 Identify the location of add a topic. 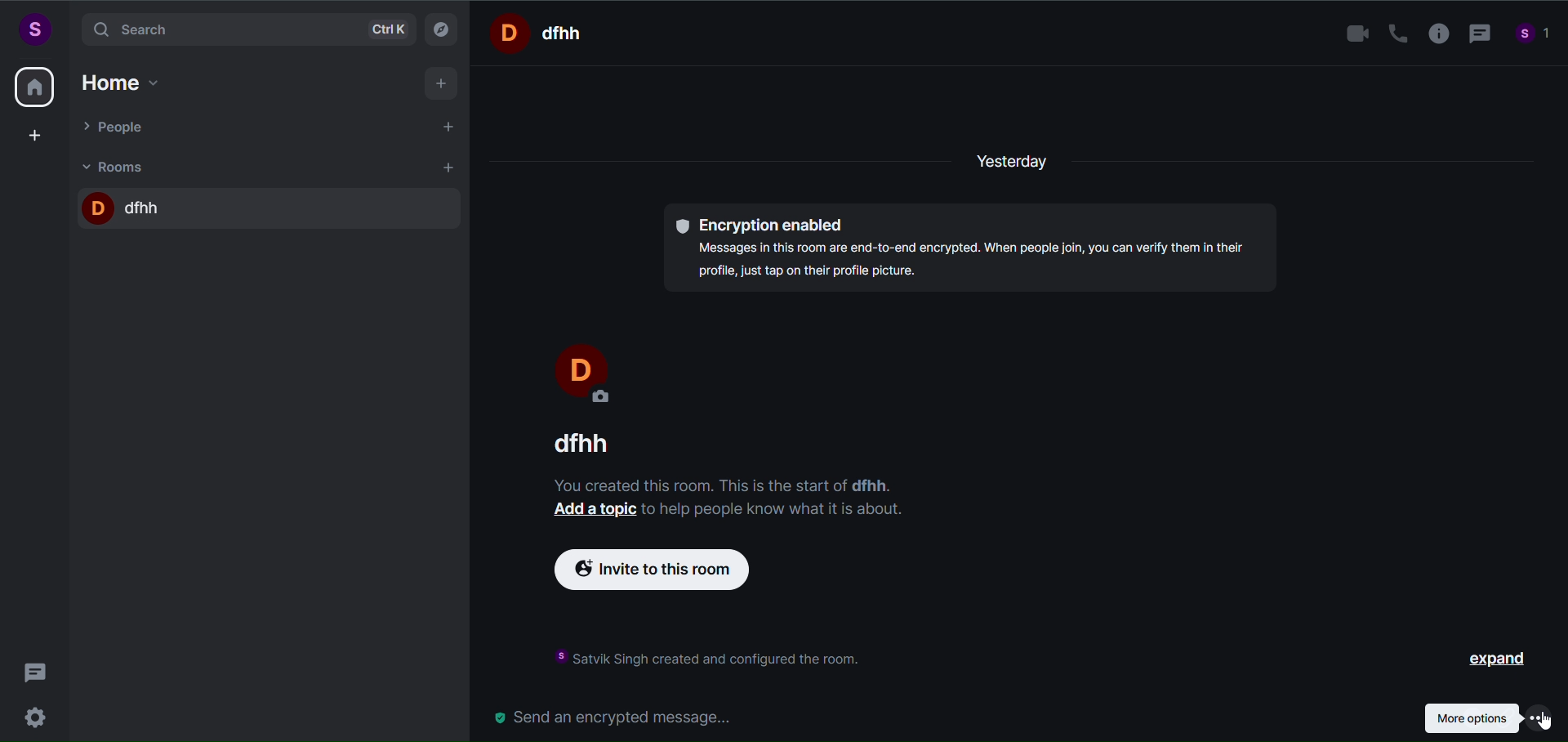
(592, 514).